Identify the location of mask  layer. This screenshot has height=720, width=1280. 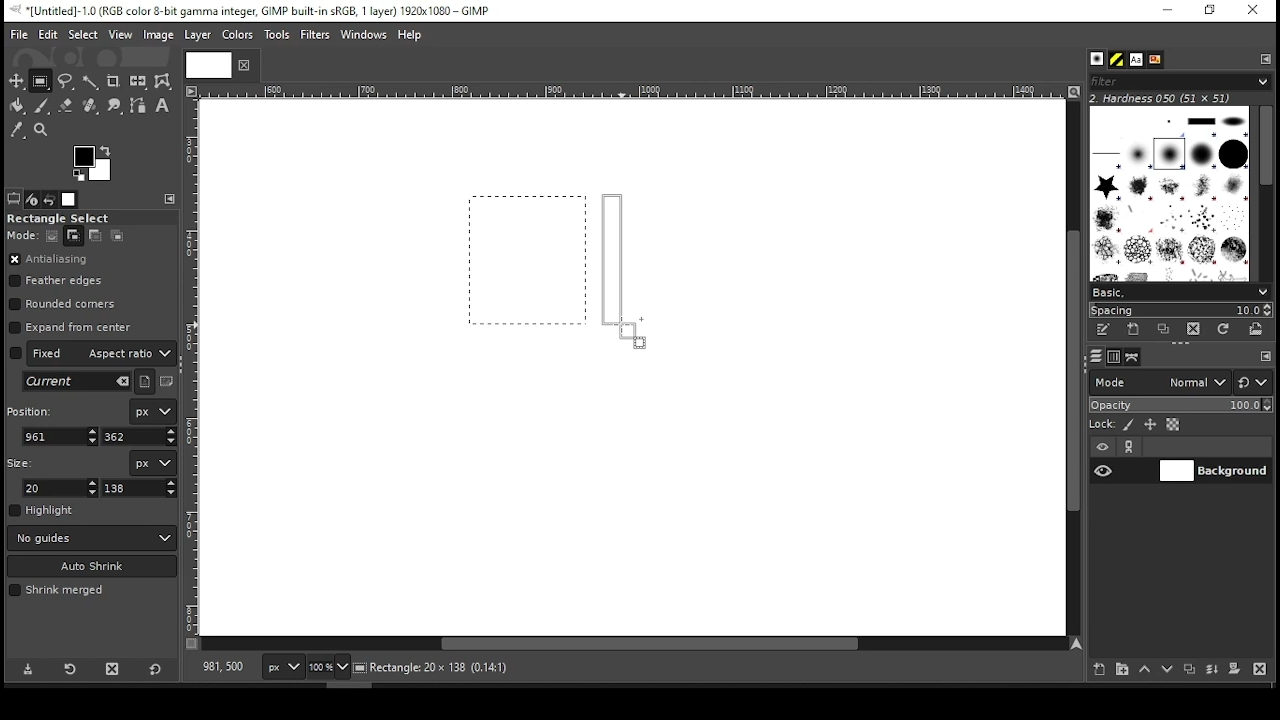
(1234, 670).